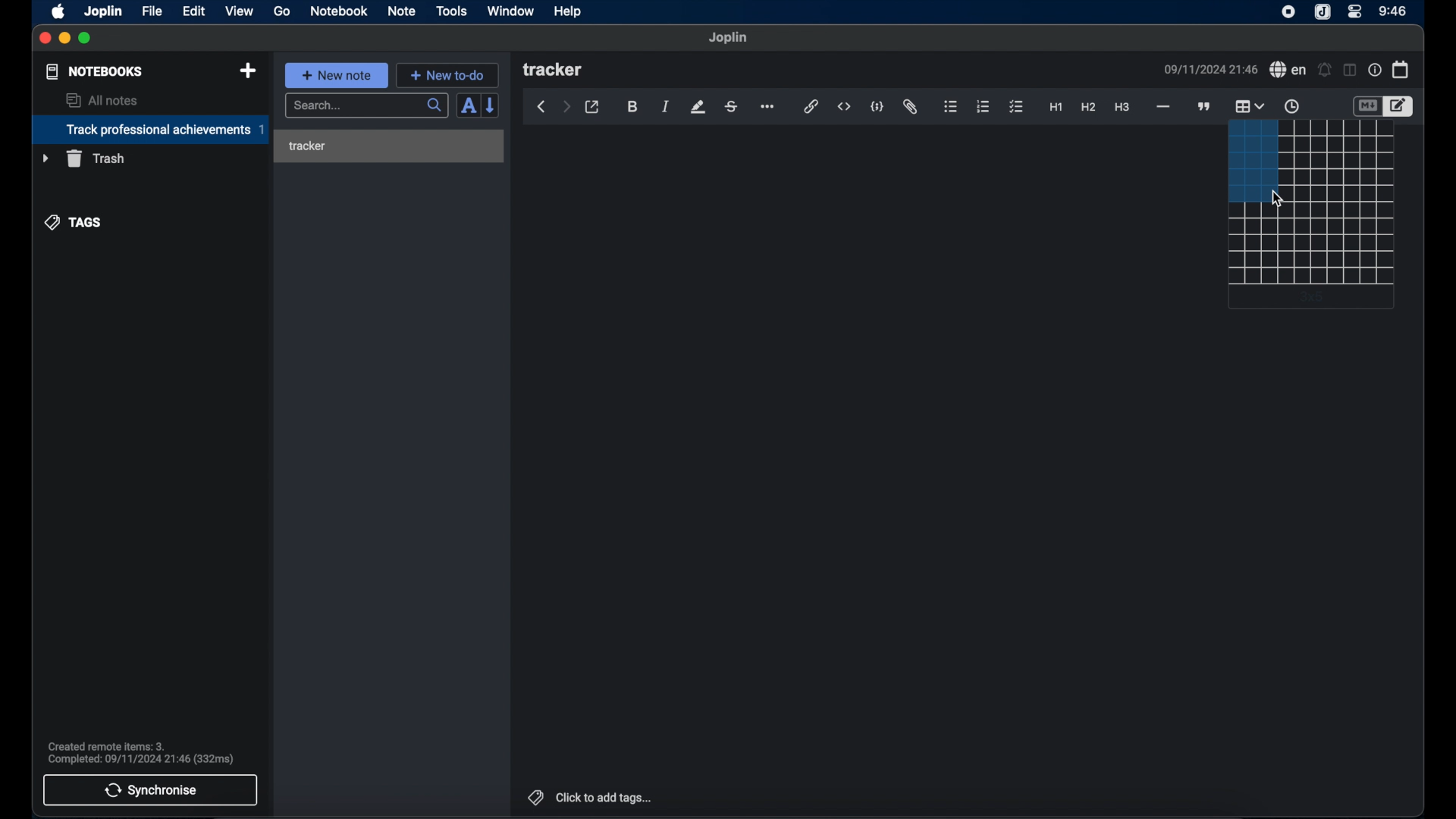 The image size is (1456, 819). I want to click on code, so click(878, 106).